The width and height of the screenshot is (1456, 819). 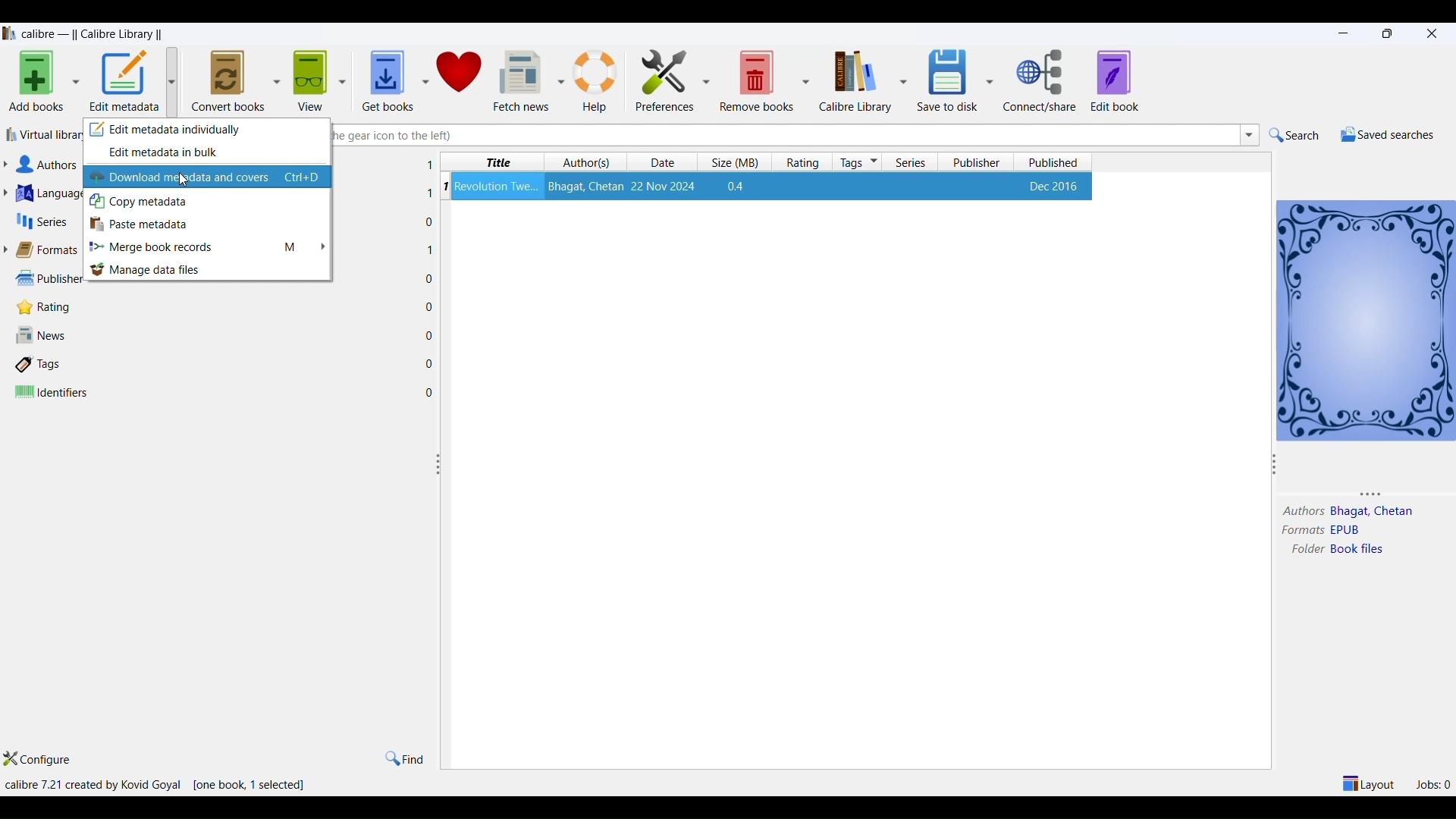 I want to click on languages list dropdown button, so click(x=10, y=193).